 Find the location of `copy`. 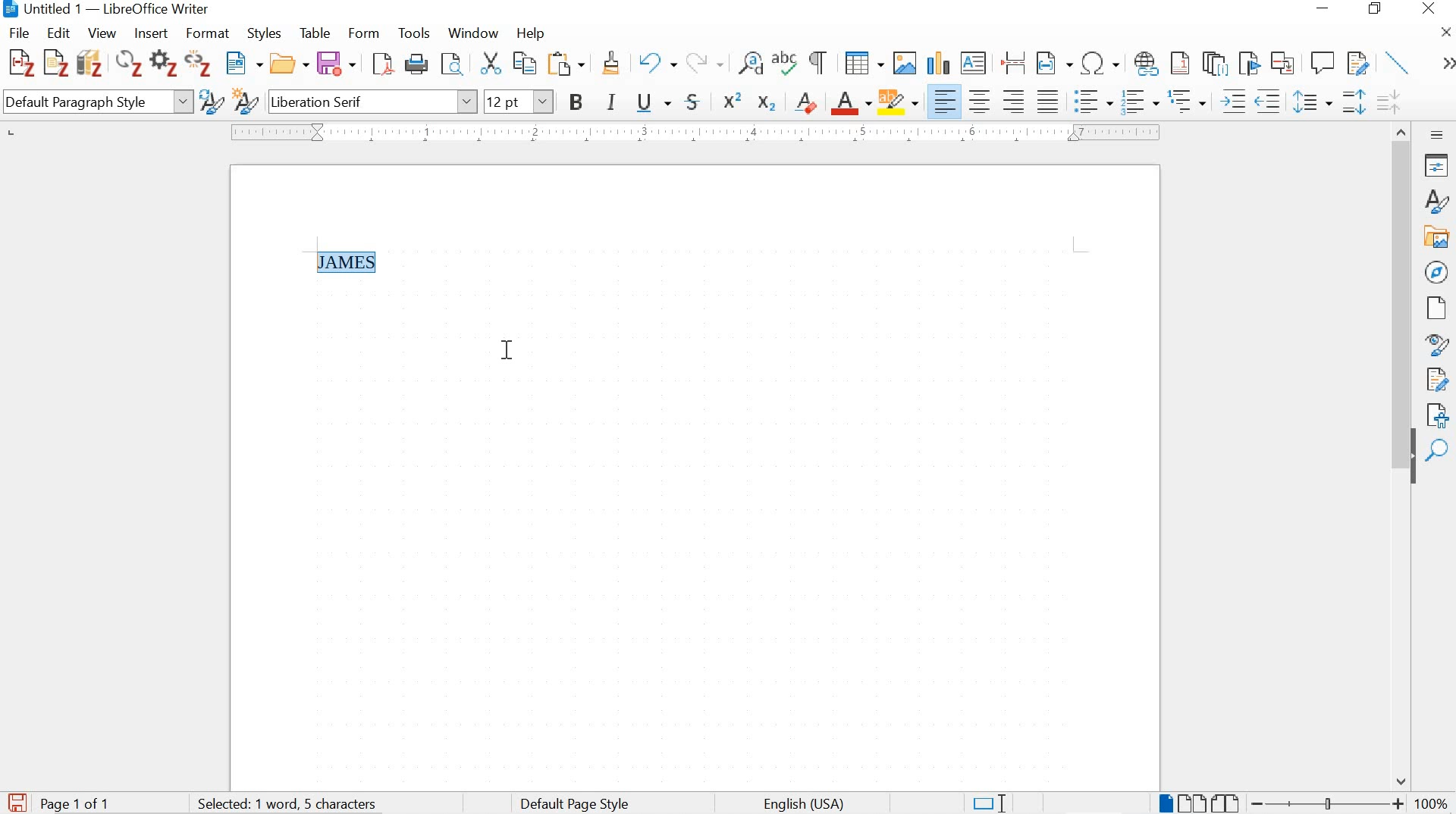

copy is located at coordinates (523, 63).